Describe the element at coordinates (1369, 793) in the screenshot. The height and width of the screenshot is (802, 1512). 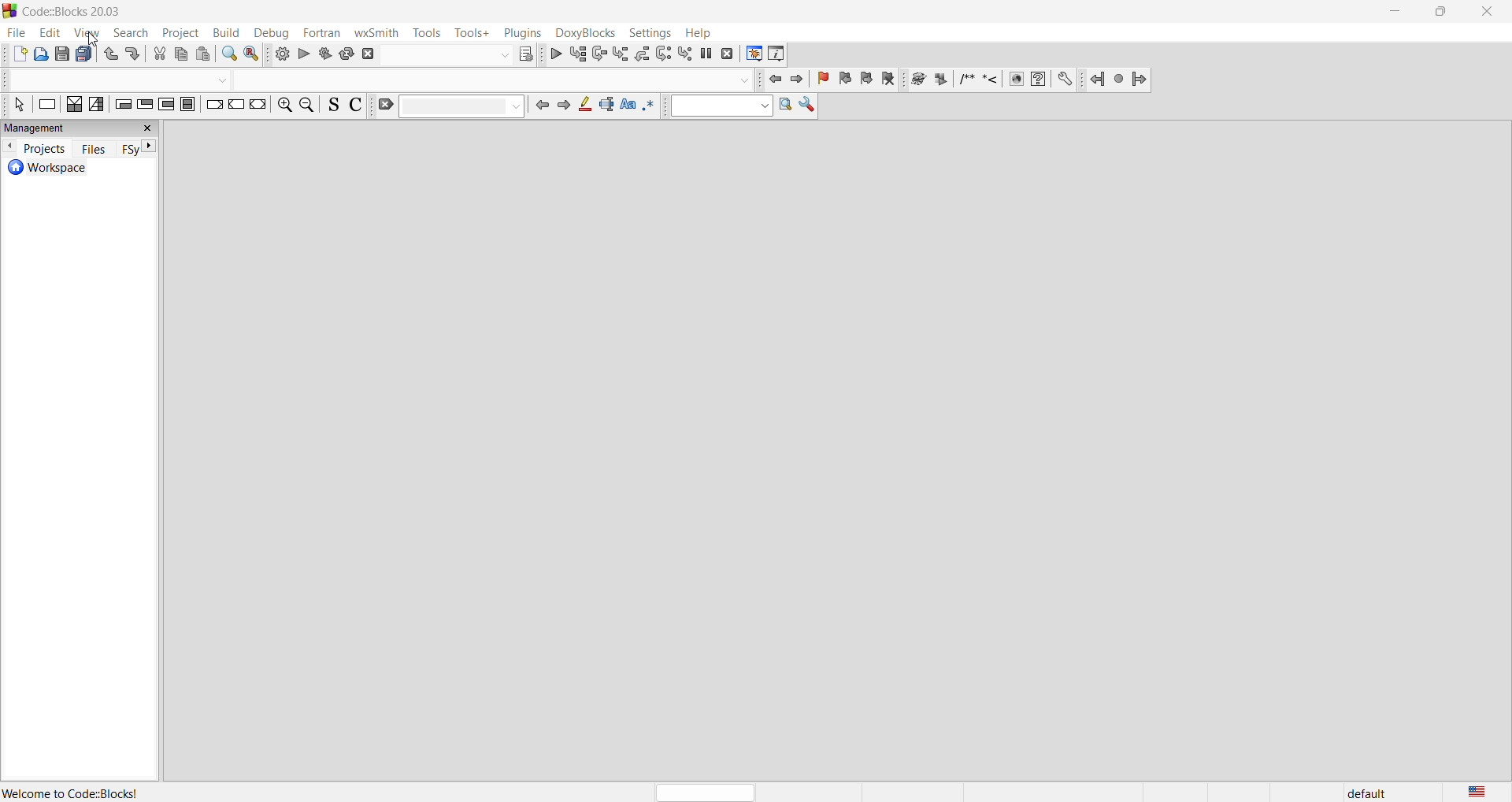
I see `default` at that location.